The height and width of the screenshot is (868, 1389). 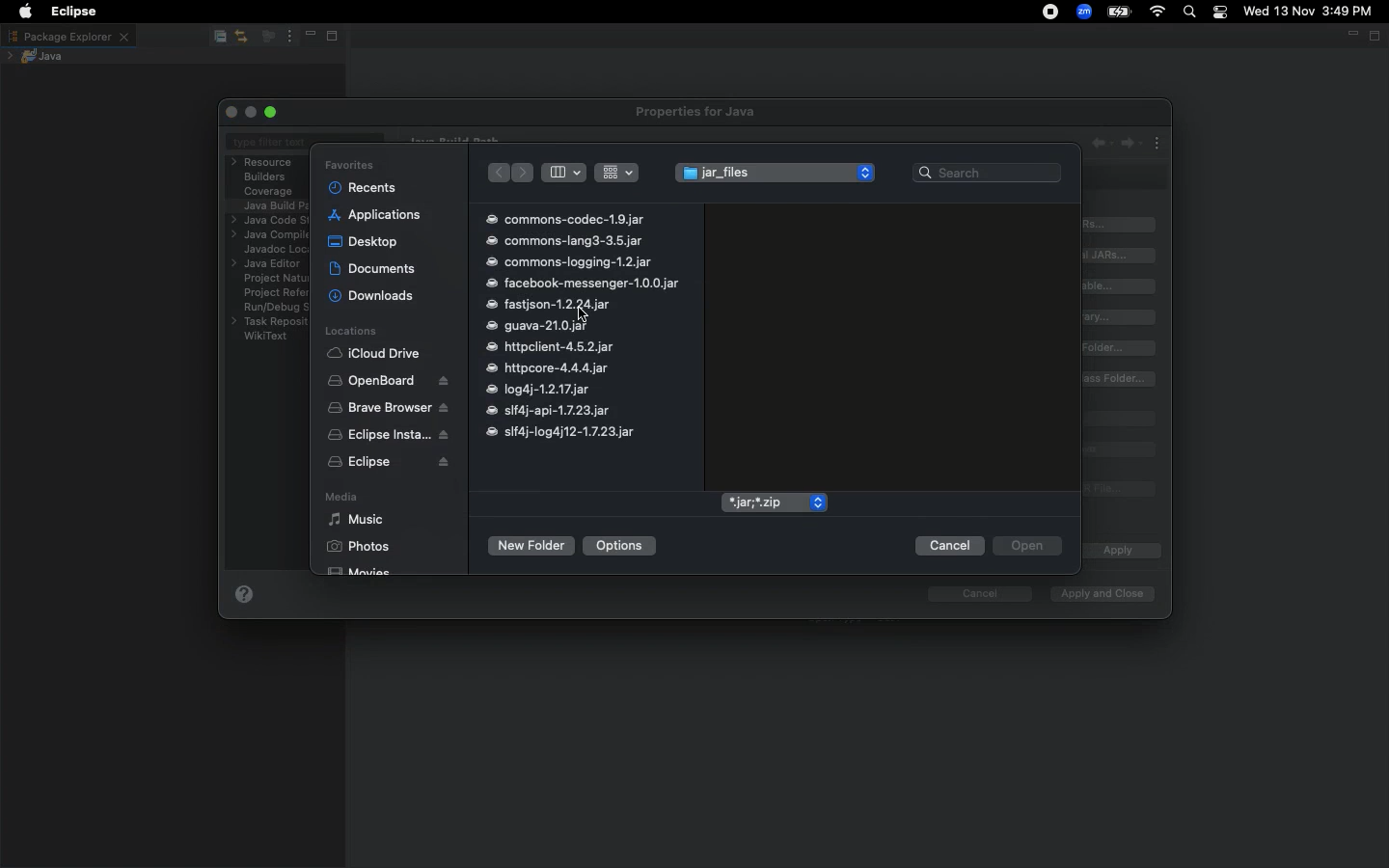 What do you see at coordinates (374, 354) in the screenshot?
I see `iCloud Drive` at bounding box center [374, 354].